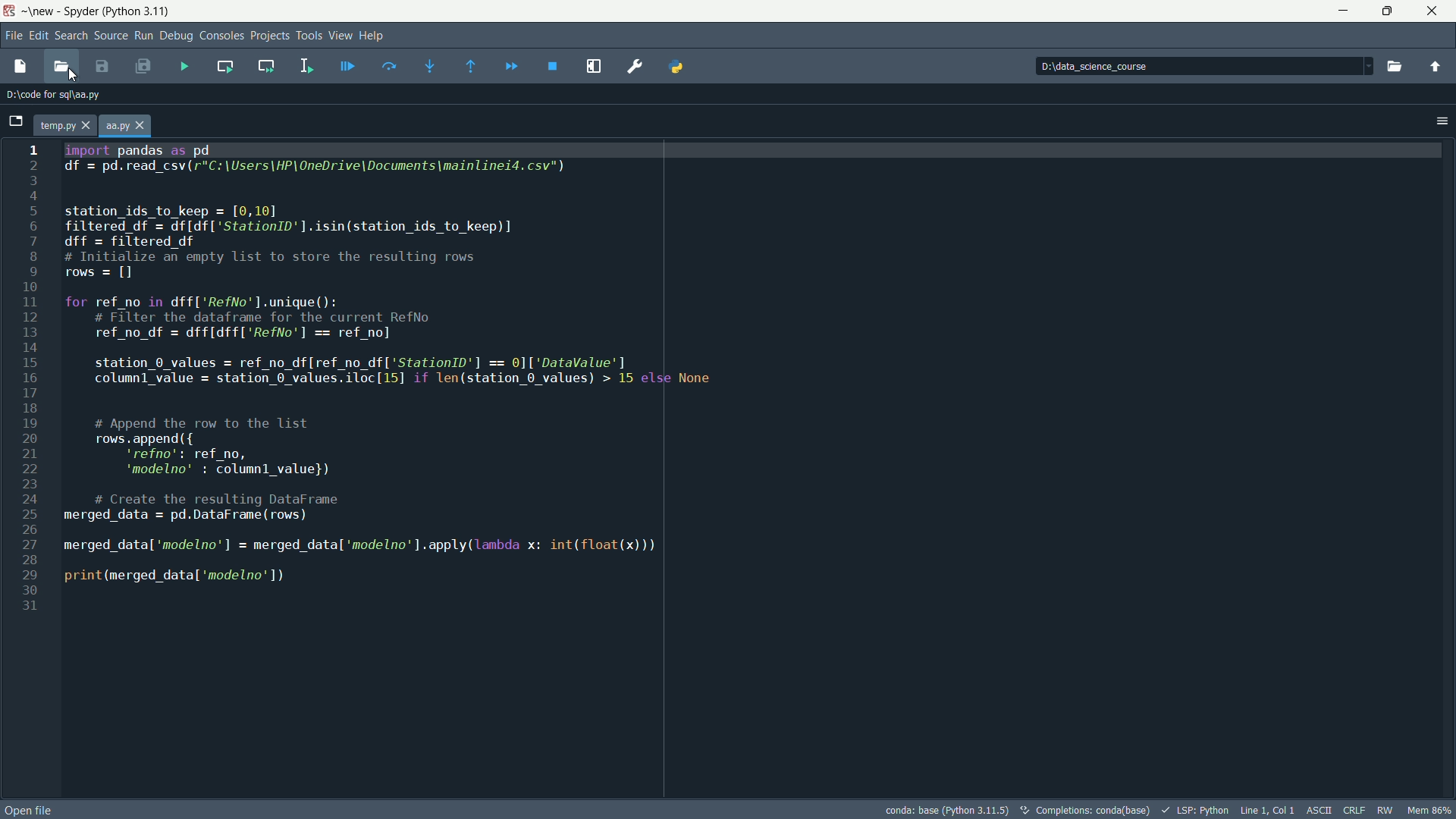 The image size is (1456, 819). I want to click on debug file, so click(348, 67).